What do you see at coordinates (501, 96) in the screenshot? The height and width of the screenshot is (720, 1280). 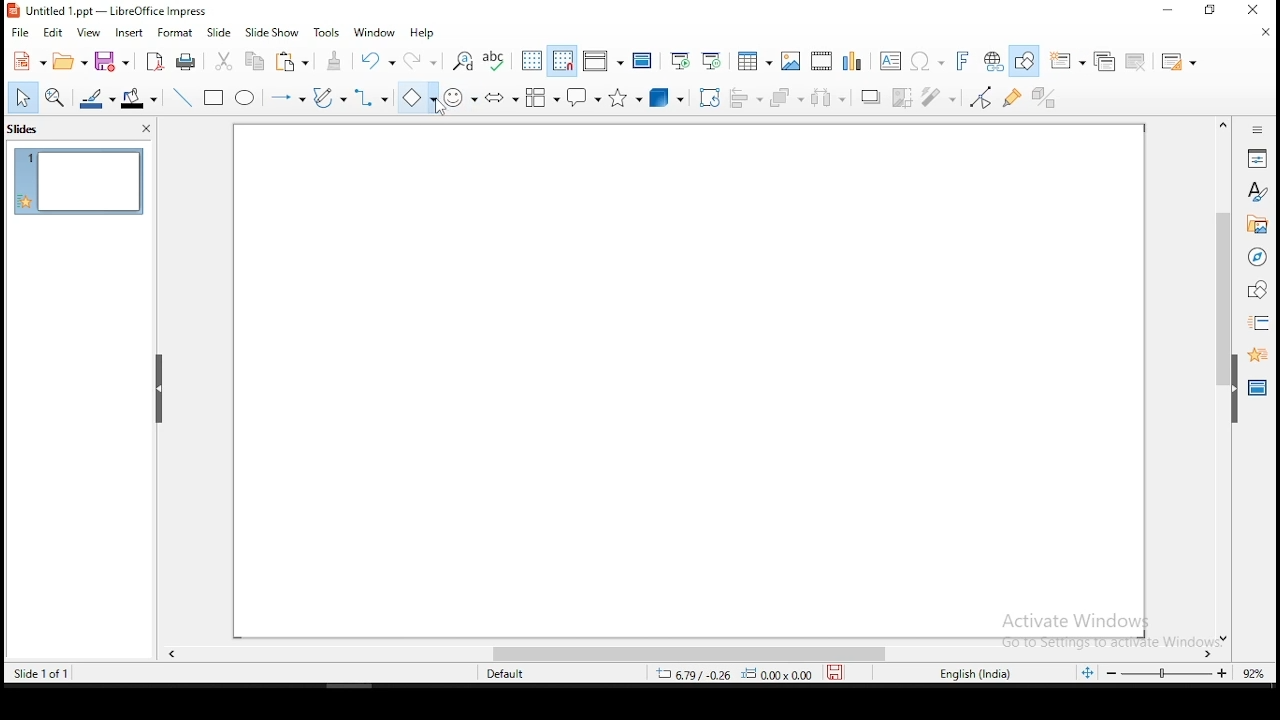 I see `block arrows` at bounding box center [501, 96].